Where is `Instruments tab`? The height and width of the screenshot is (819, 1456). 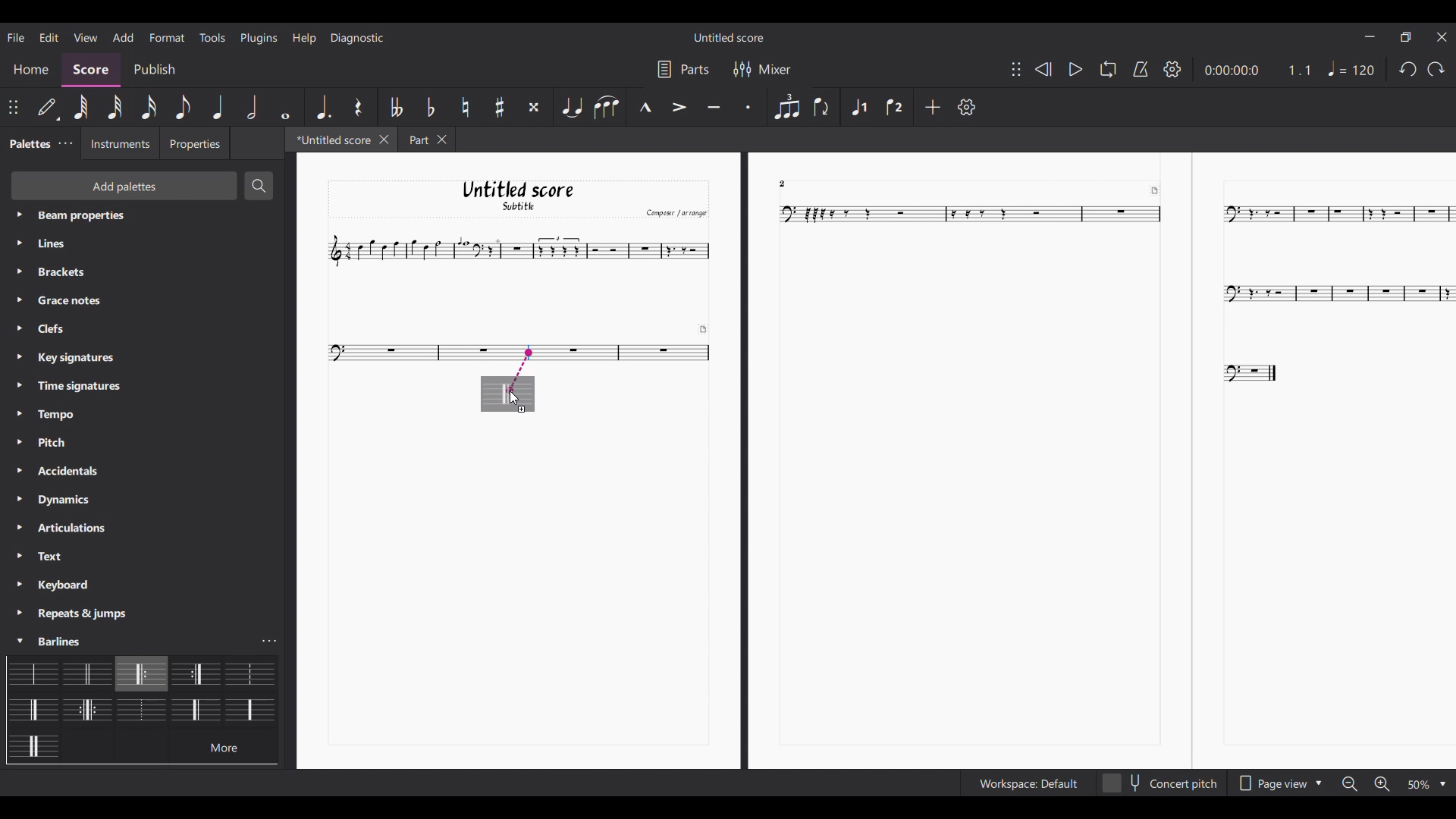 Instruments tab is located at coordinates (118, 143).